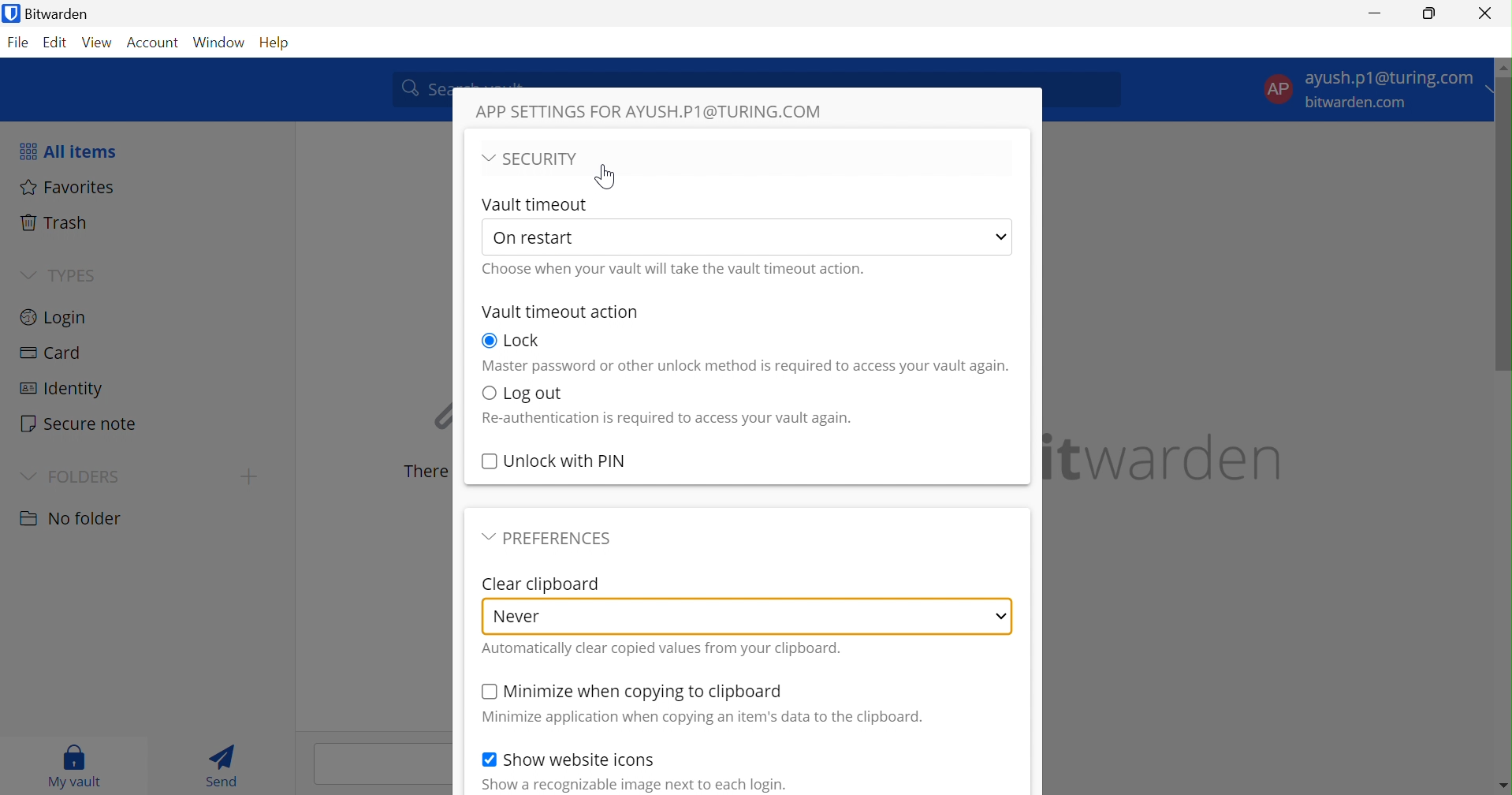 Image resolution: width=1512 pixels, height=795 pixels. What do you see at coordinates (560, 311) in the screenshot?
I see `Vault timeout action` at bounding box center [560, 311].